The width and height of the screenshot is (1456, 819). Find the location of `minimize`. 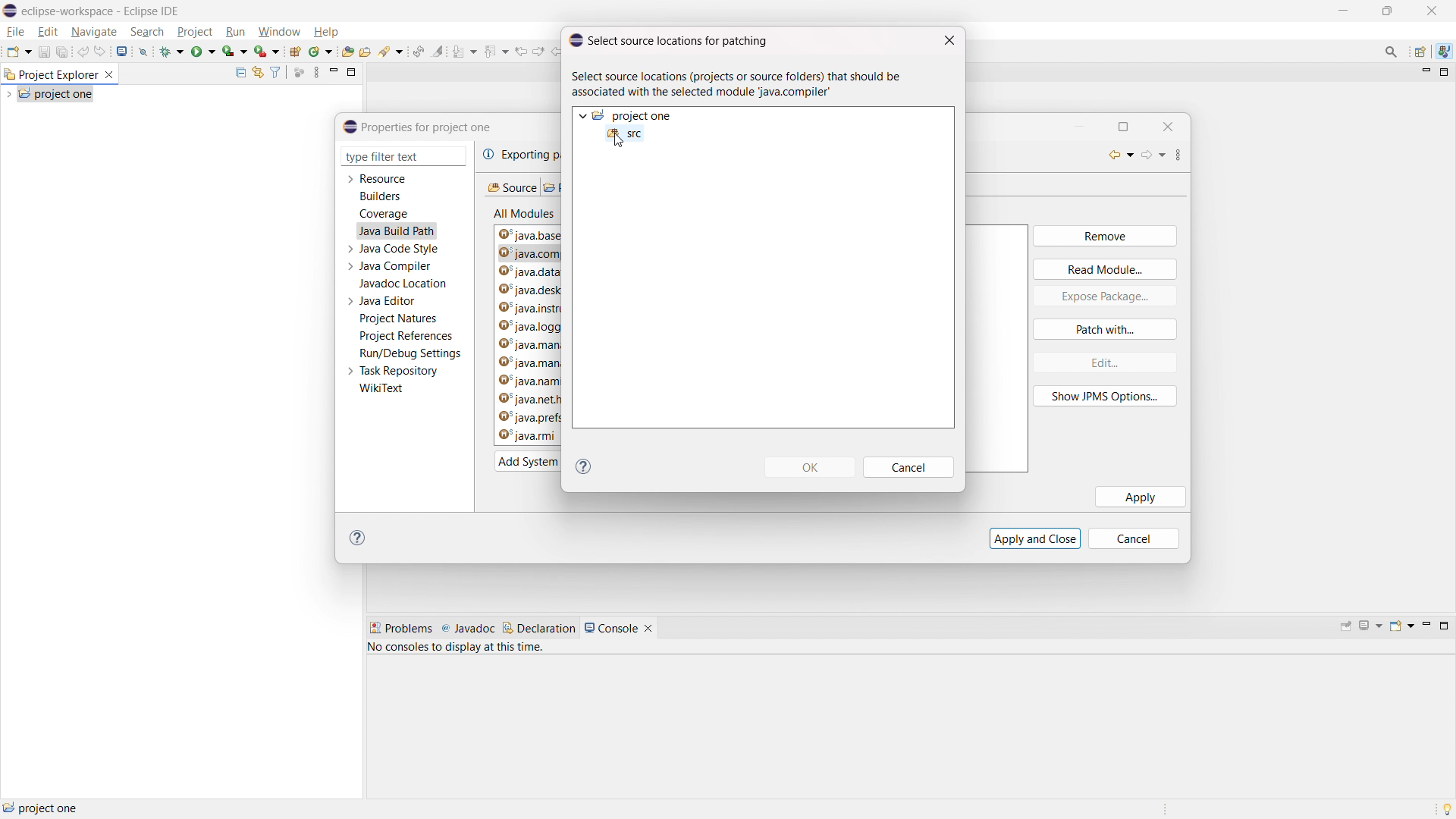

minimize is located at coordinates (1081, 125).